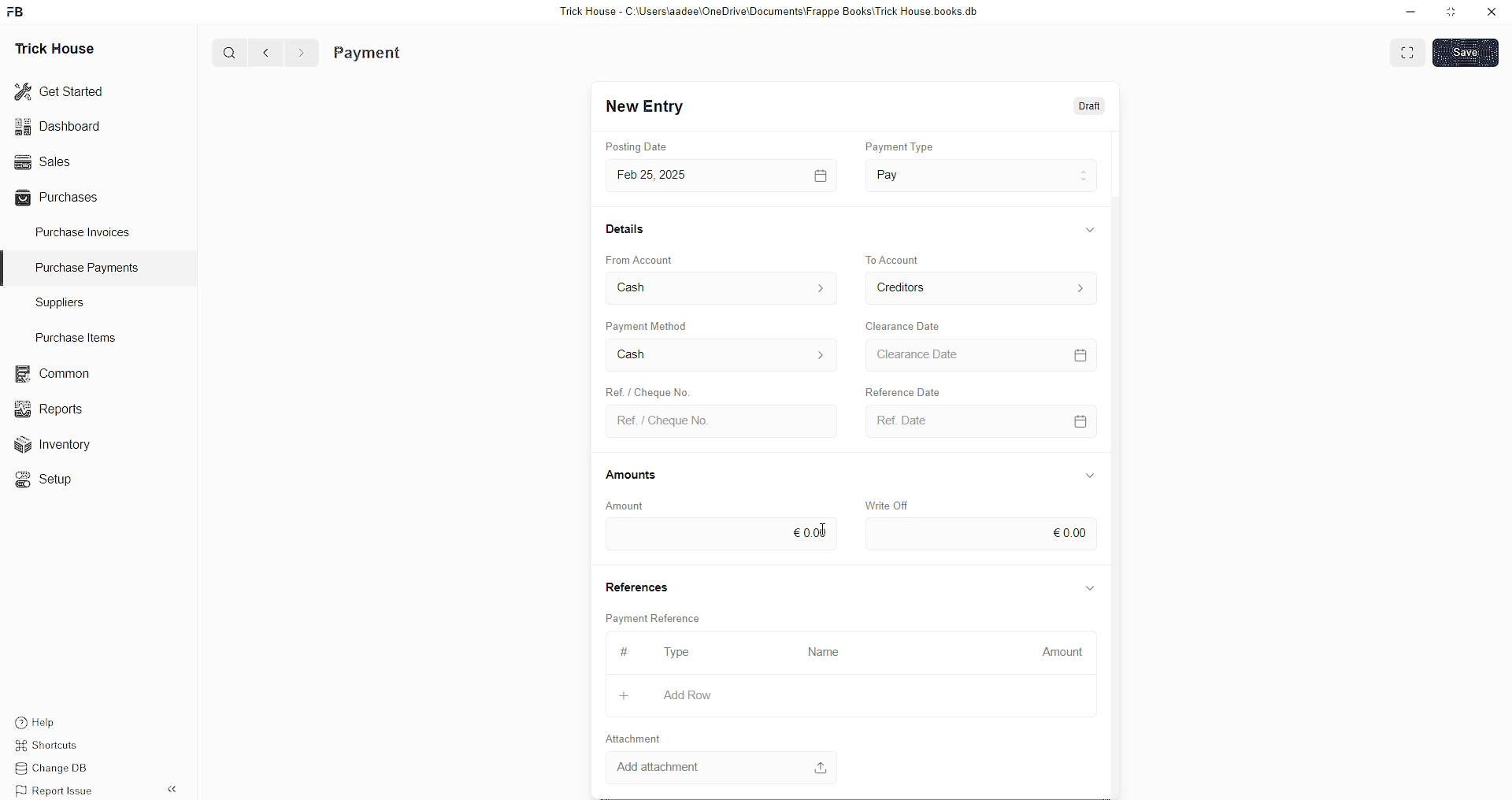 This screenshot has width=1512, height=800. What do you see at coordinates (18, 10) in the screenshot?
I see `FB` at bounding box center [18, 10].